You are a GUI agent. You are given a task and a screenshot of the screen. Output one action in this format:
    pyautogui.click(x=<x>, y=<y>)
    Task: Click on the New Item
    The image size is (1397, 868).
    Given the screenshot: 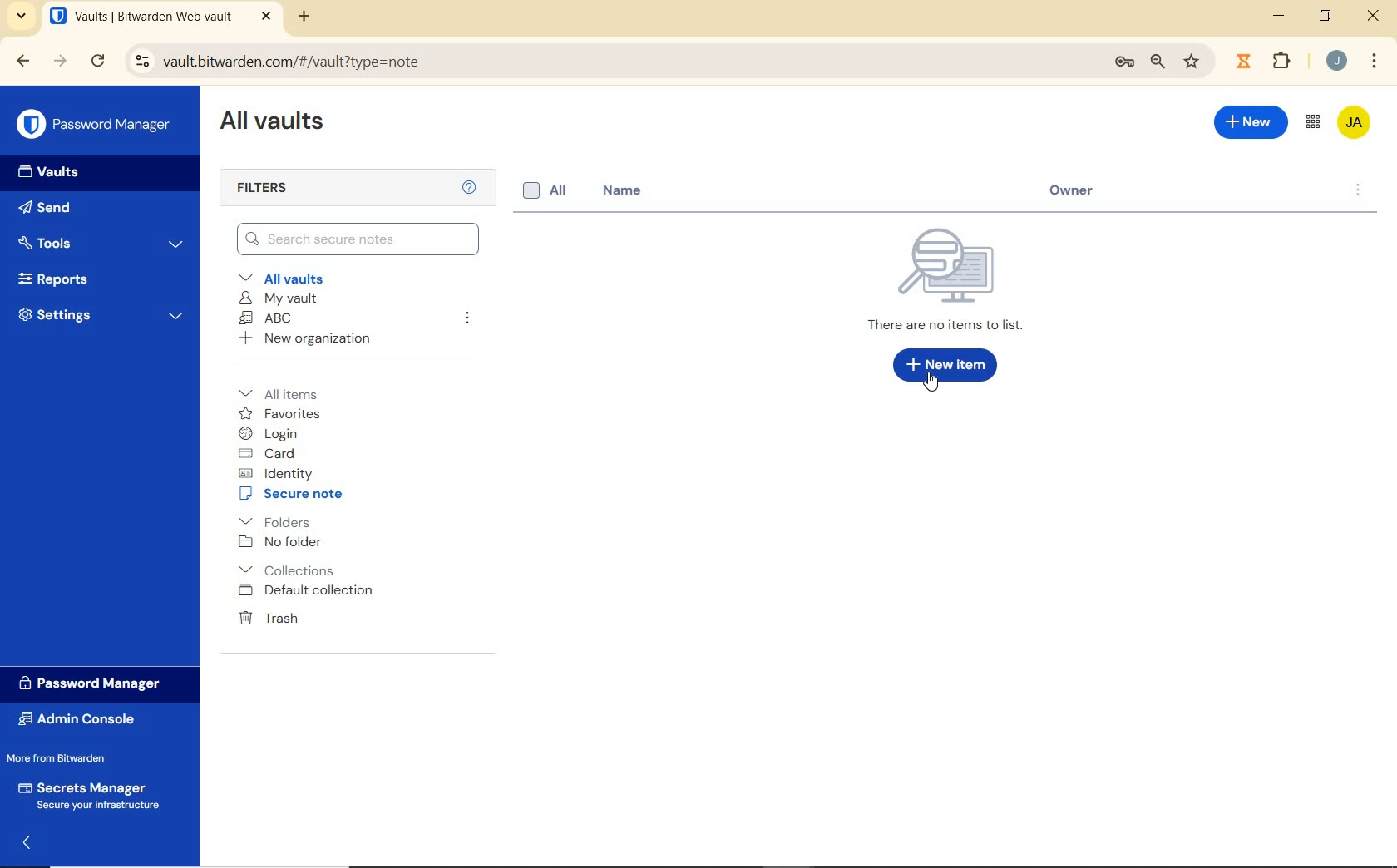 What is the action you would take?
    pyautogui.click(x=945, y=364)
    